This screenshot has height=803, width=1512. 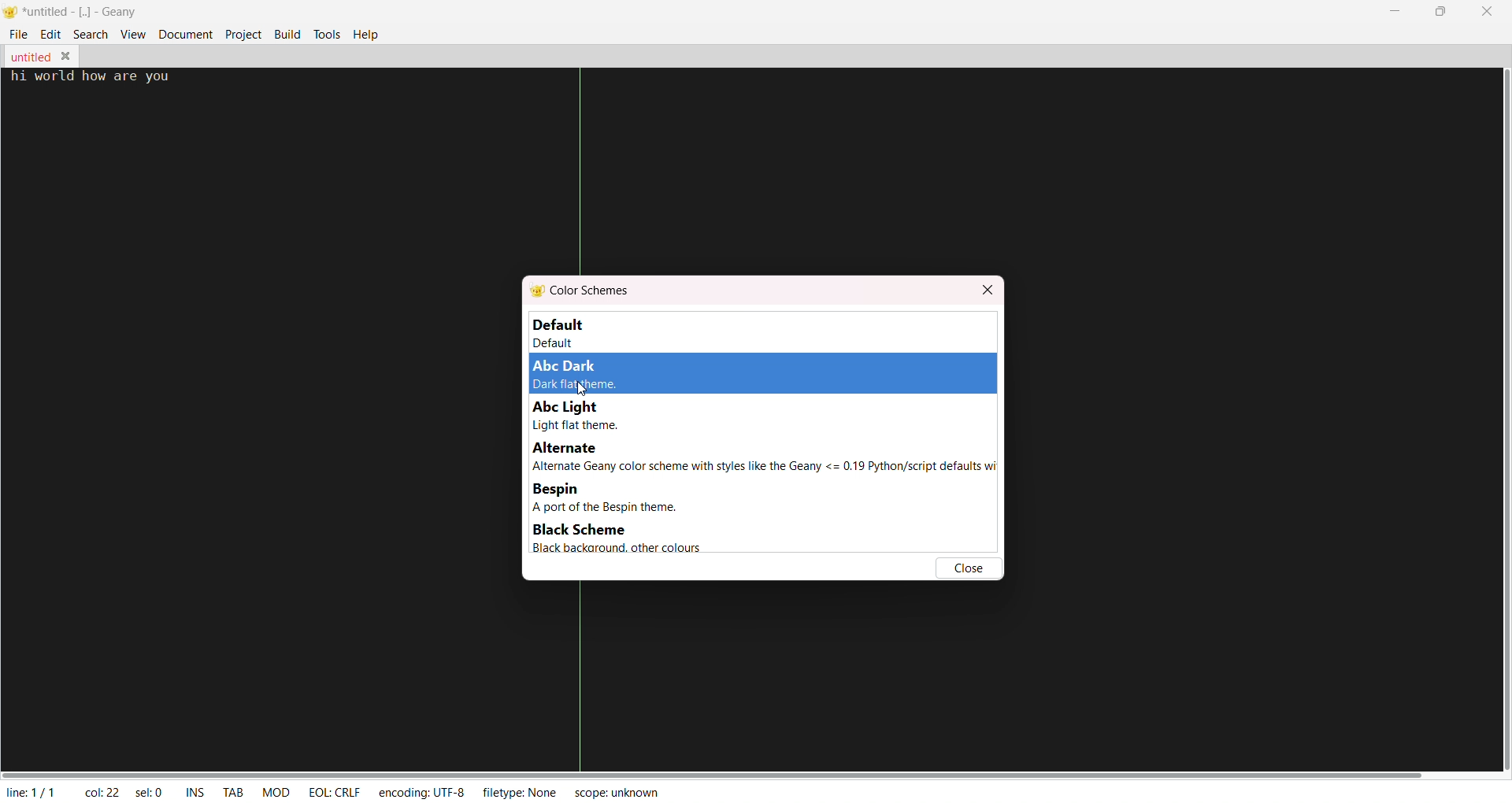 I want to click on close, so click(x=988, y=291).